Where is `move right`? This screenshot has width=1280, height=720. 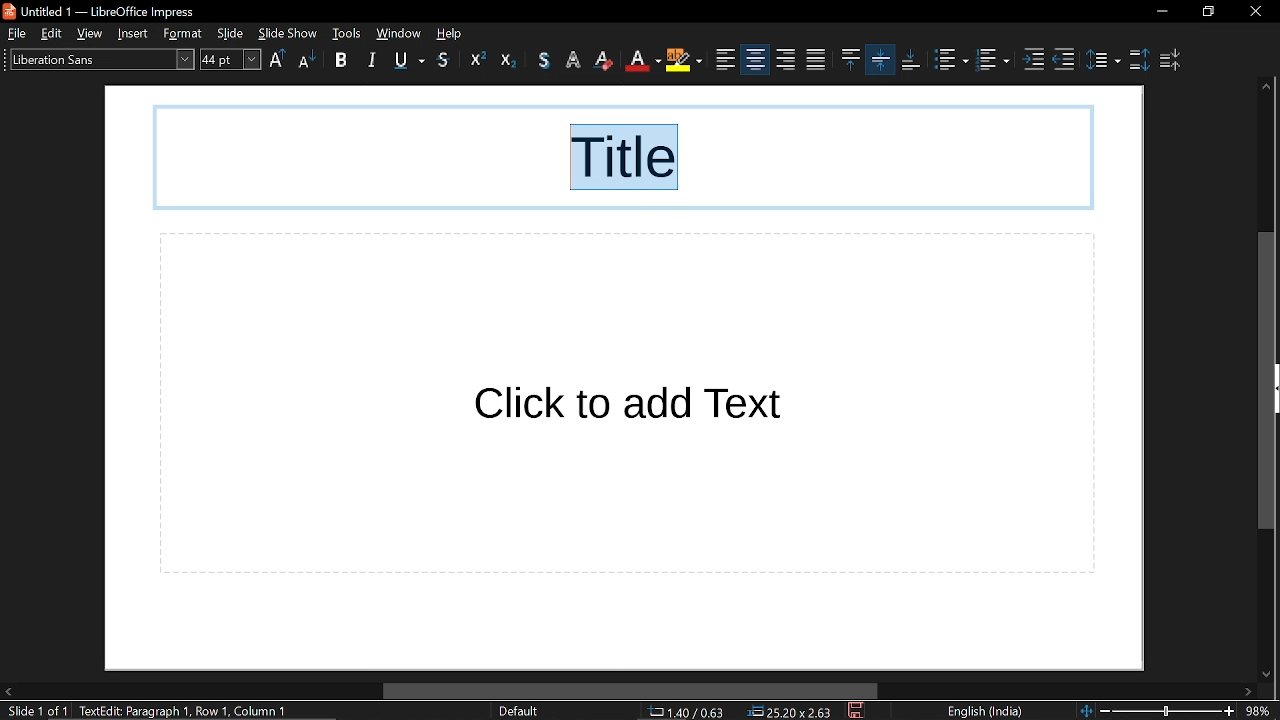 move right is located at coordinates (1247, 692).